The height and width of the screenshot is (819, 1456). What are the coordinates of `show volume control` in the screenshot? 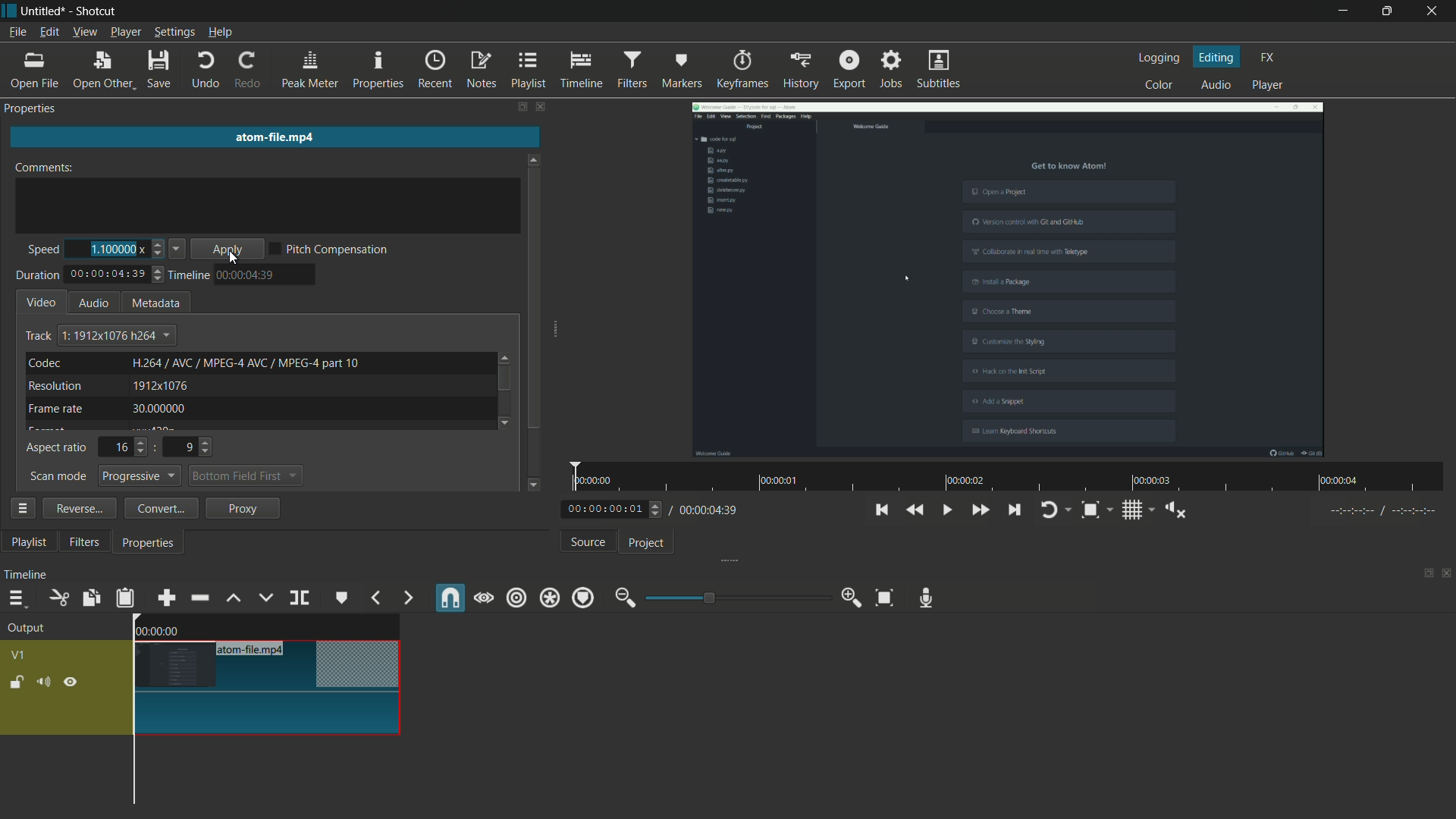 It's located at (1175, 510).